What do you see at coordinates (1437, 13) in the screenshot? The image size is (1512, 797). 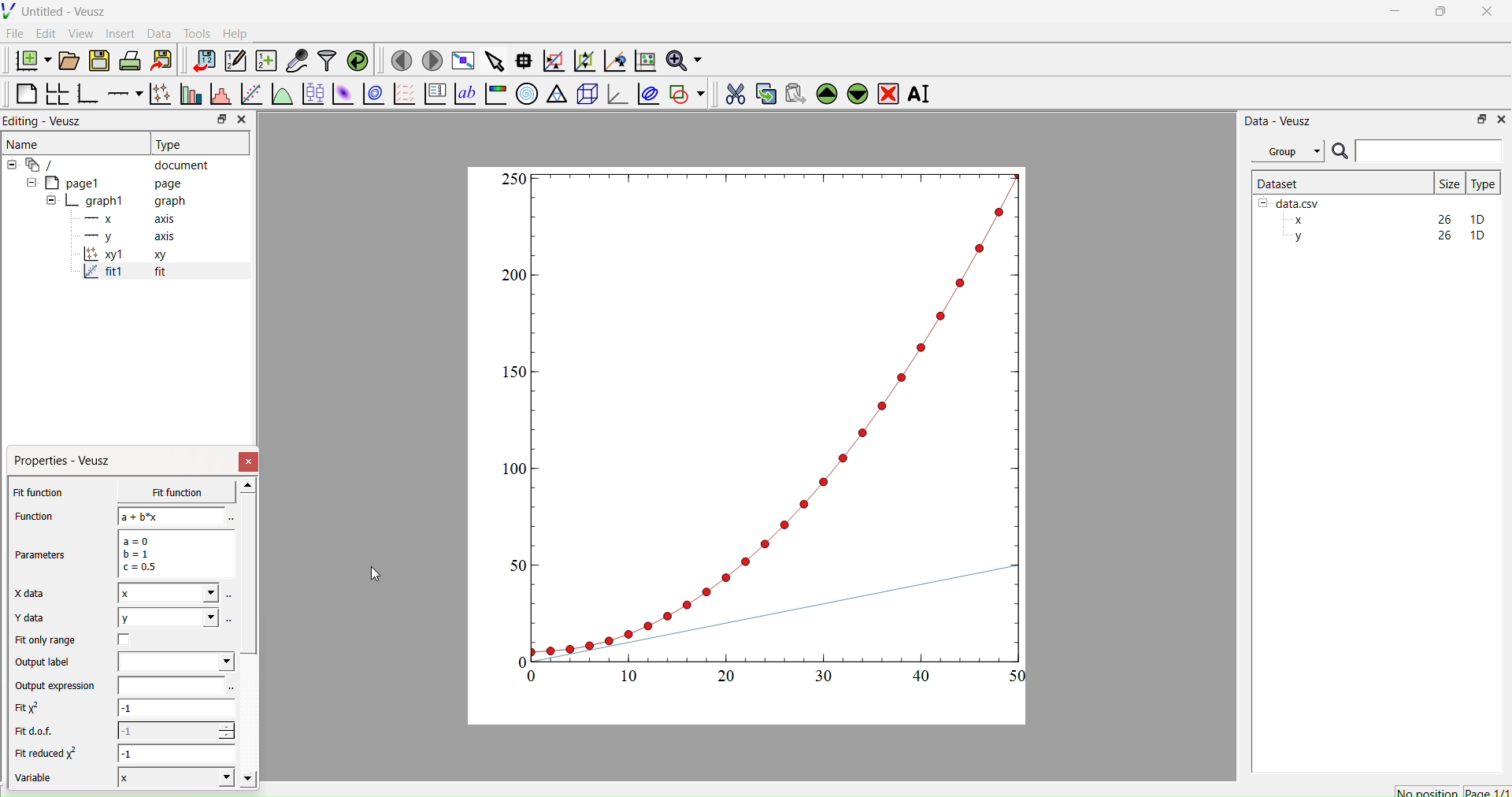 I see `Restore Down` at bounding box center [1437, 13].